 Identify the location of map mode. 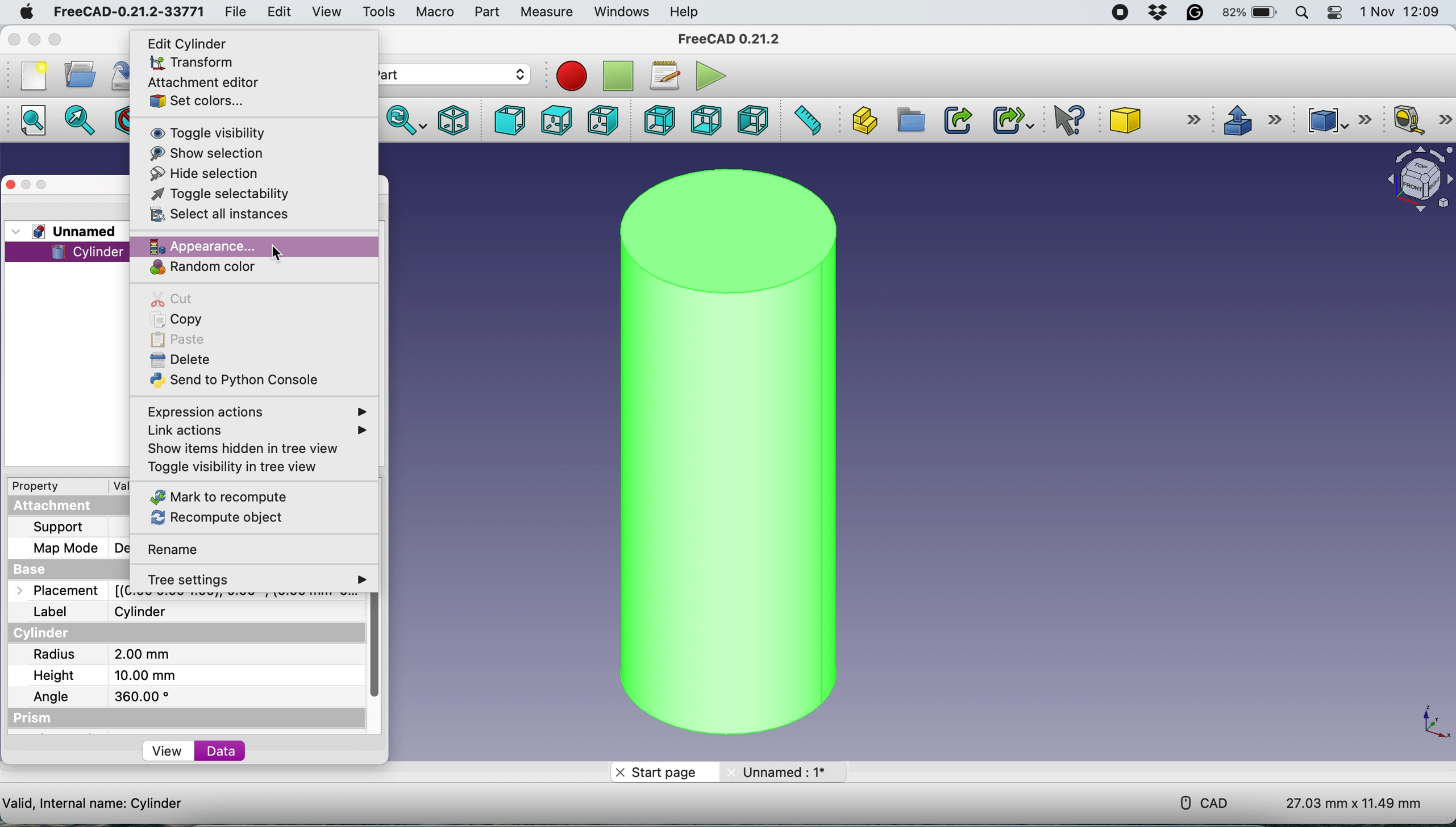
(80, 548).